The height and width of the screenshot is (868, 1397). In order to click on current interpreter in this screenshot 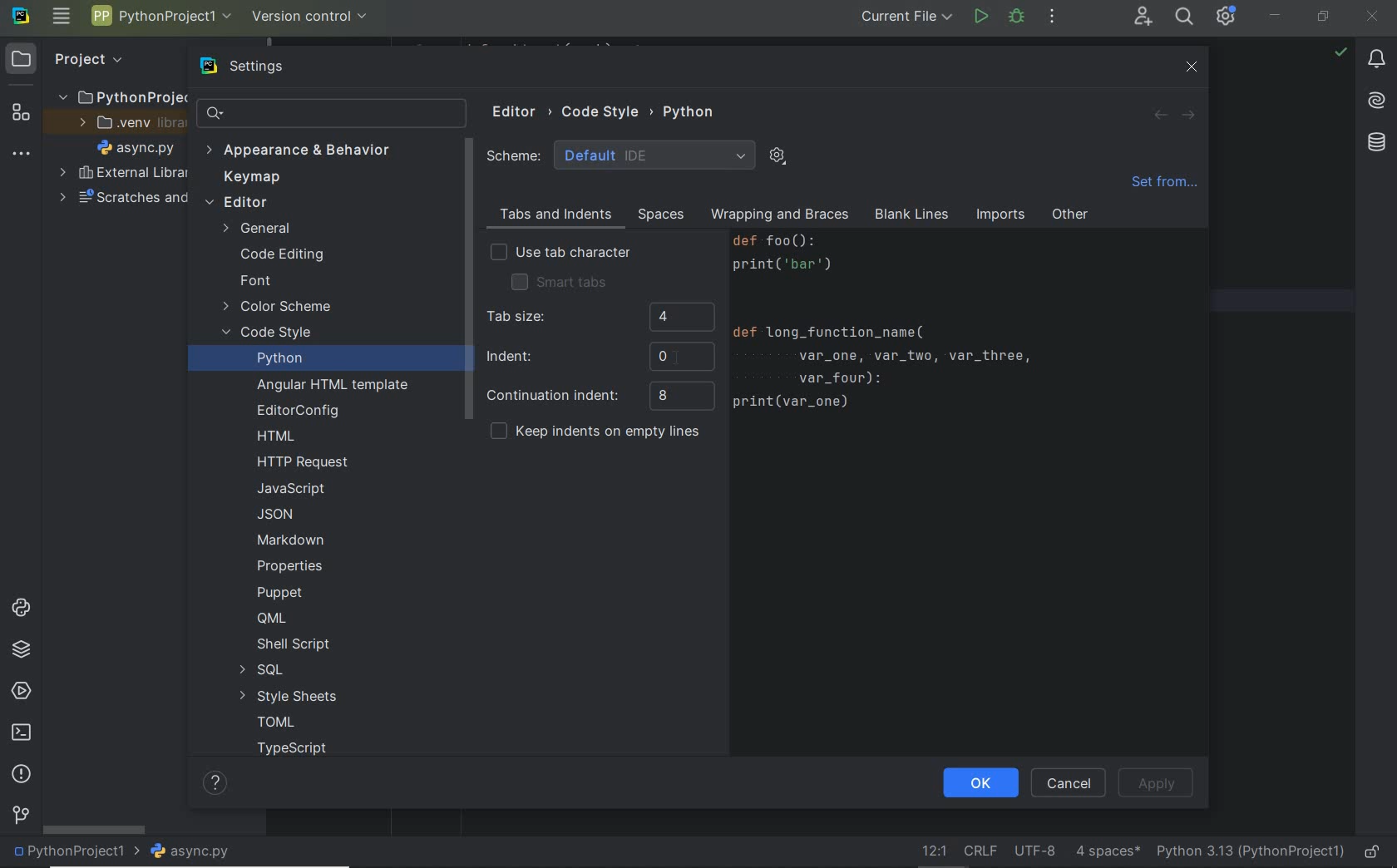, I will do `click(1250, 851)`.